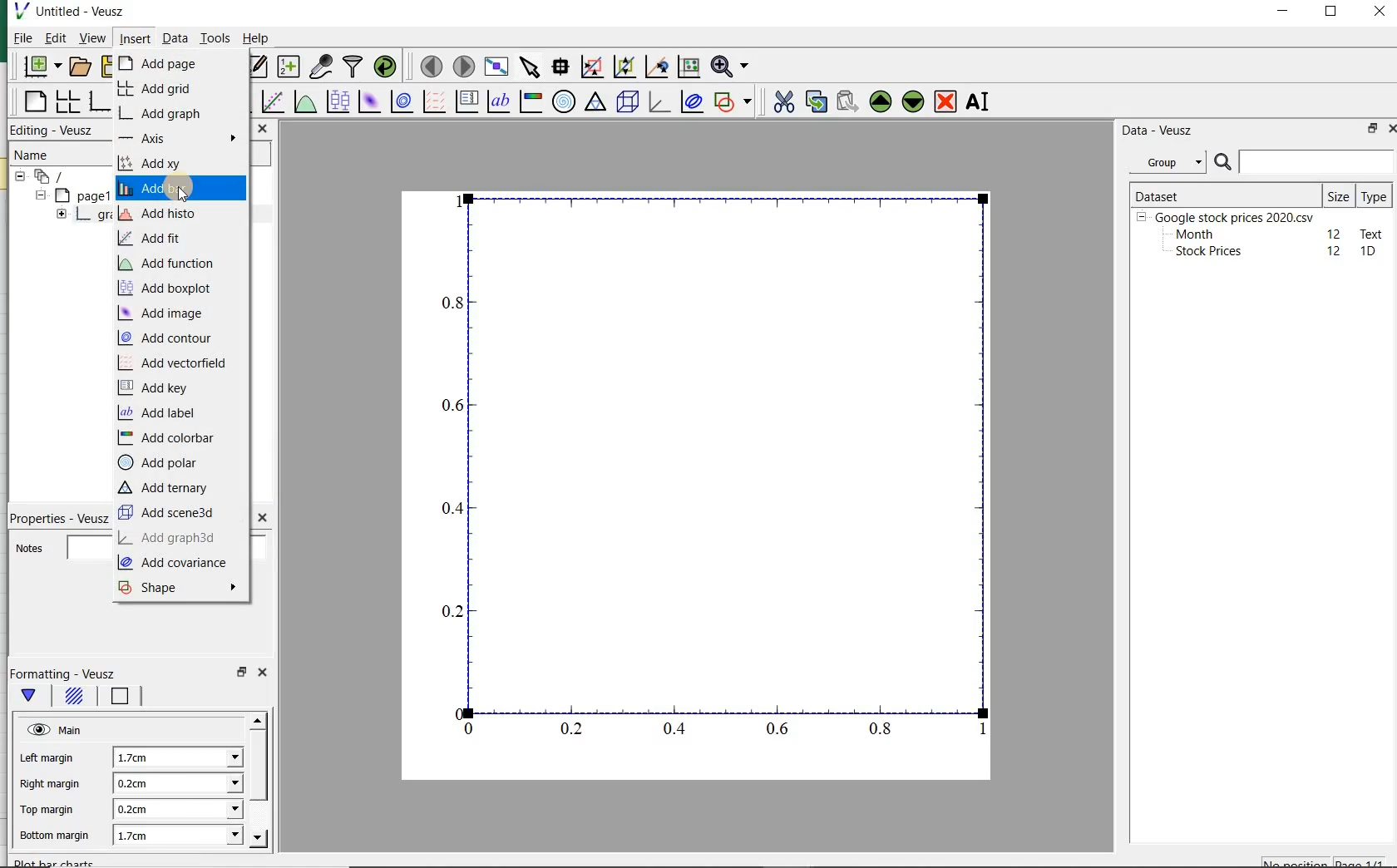  I want to click on add polar, so click(160, 465).